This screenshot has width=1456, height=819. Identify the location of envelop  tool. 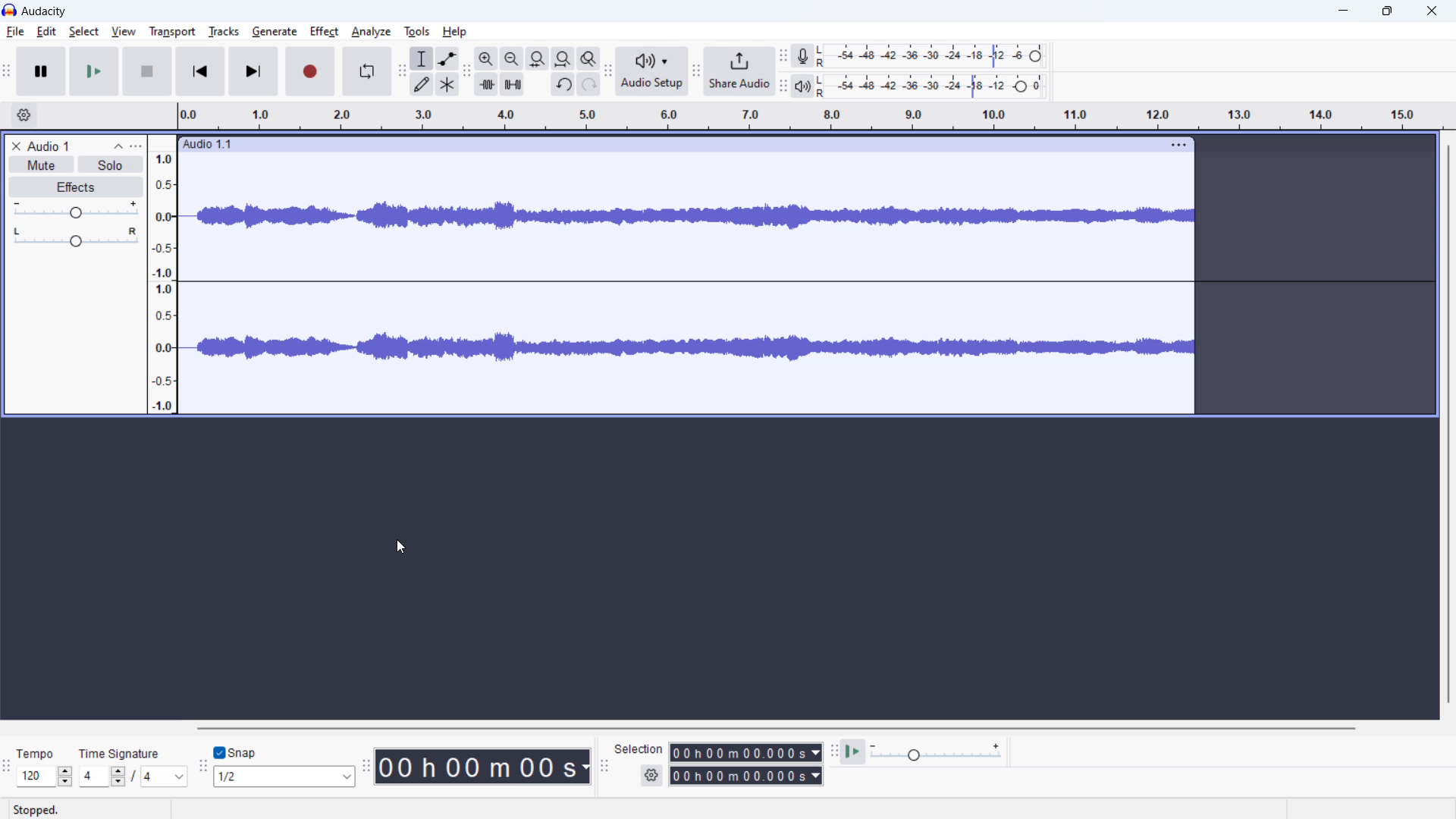
(447, 58).